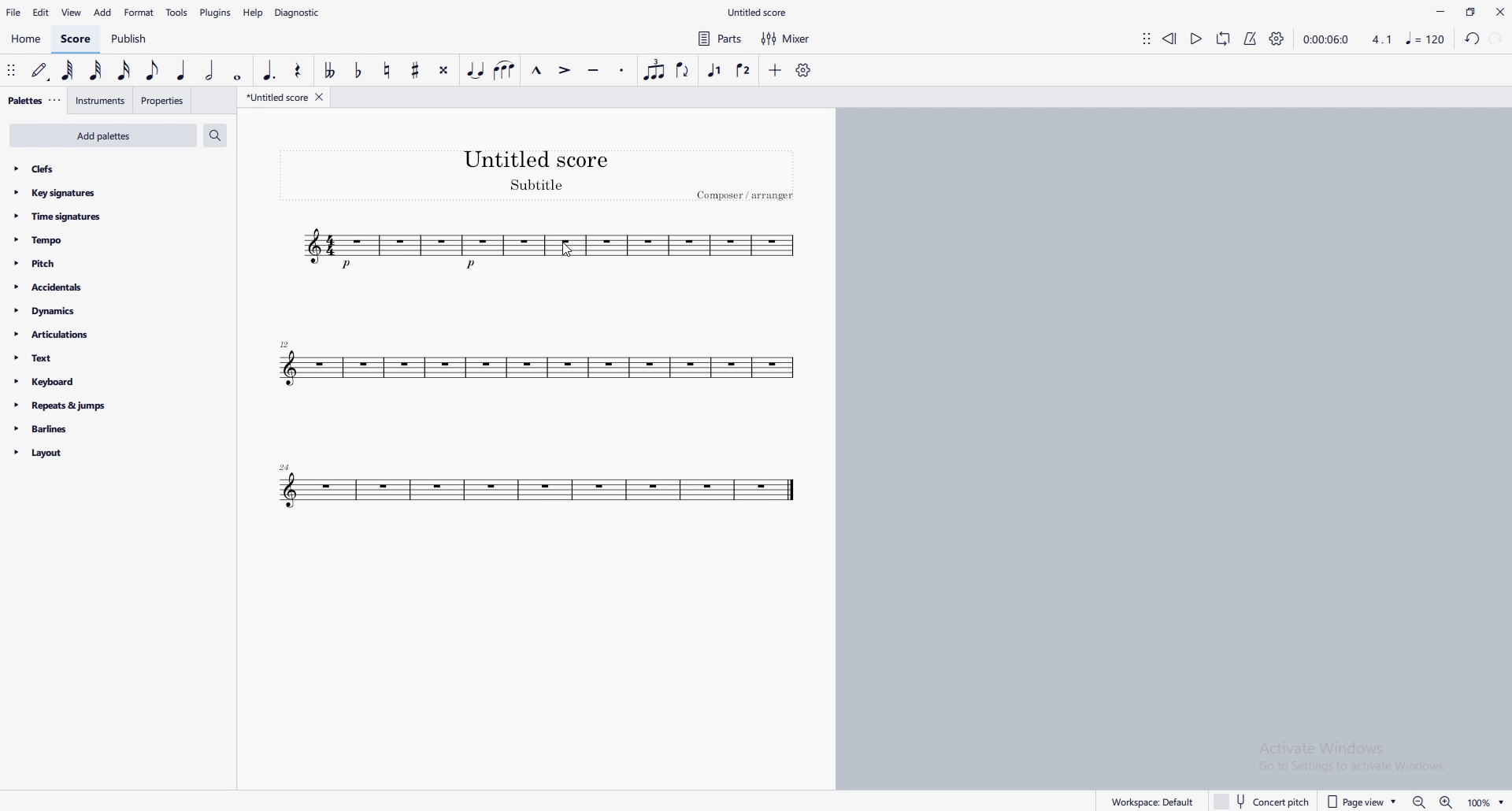  What do you see at coordinates (43, 13) in the screenshot?
I see `edit` at bounding box center [43, 13].